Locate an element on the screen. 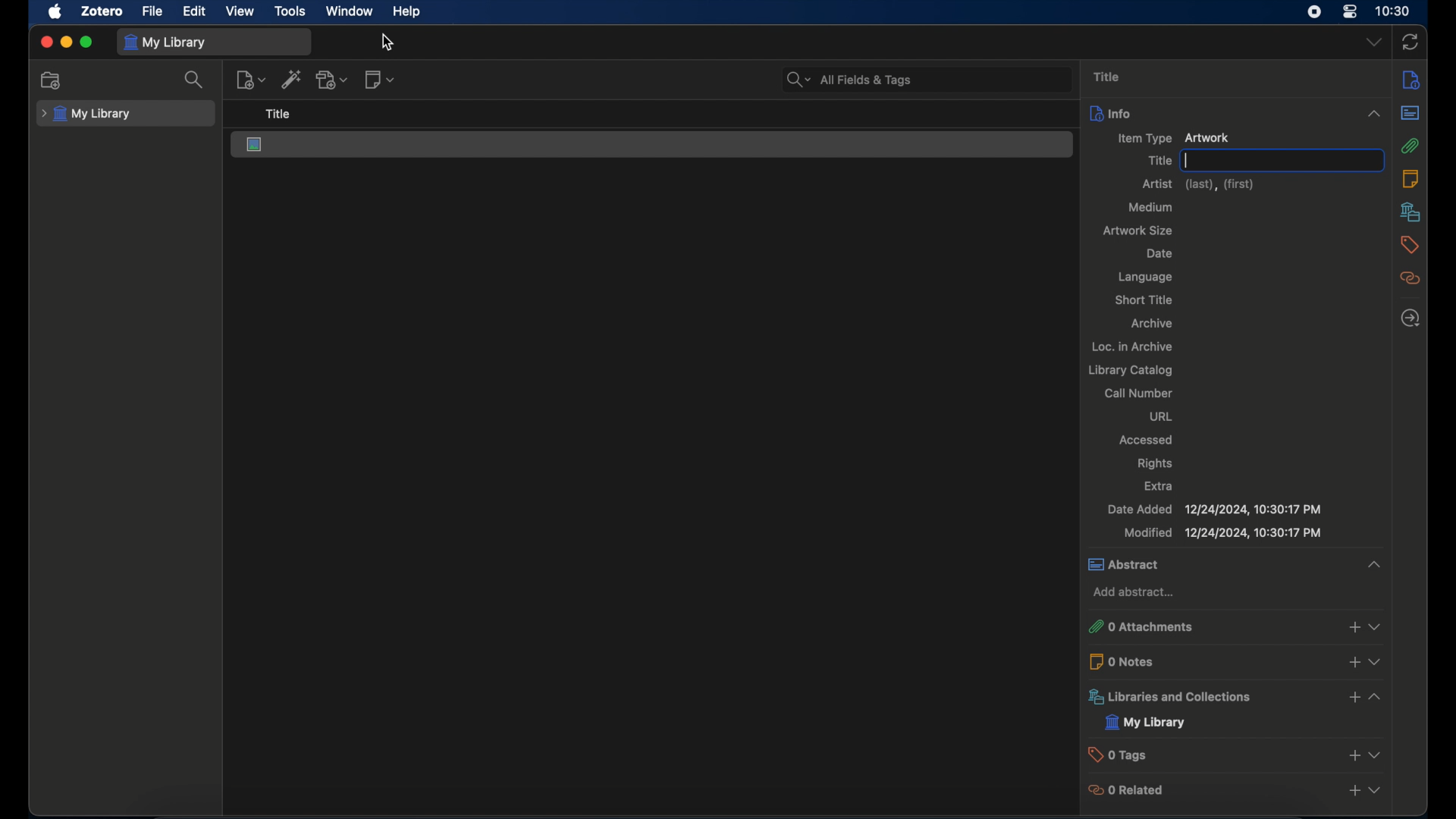 This screenshot has height=819, width=1456. my library is located at coordinates (86, 115).